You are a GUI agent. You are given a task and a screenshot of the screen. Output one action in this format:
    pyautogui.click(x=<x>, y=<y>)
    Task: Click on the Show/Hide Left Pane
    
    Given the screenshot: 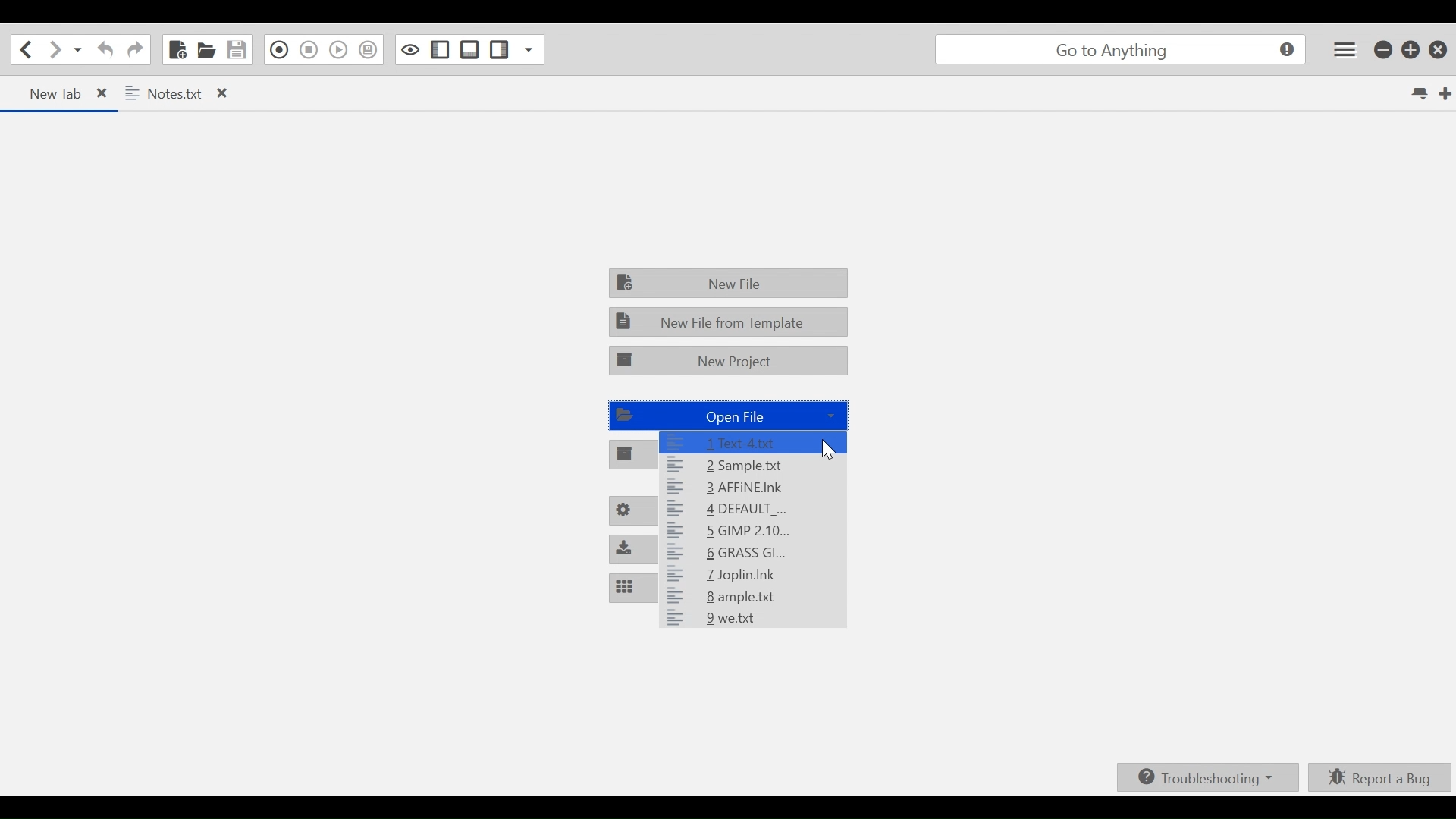 What is the action you would take?
    pyautogui.click(x=439, y=50)
    